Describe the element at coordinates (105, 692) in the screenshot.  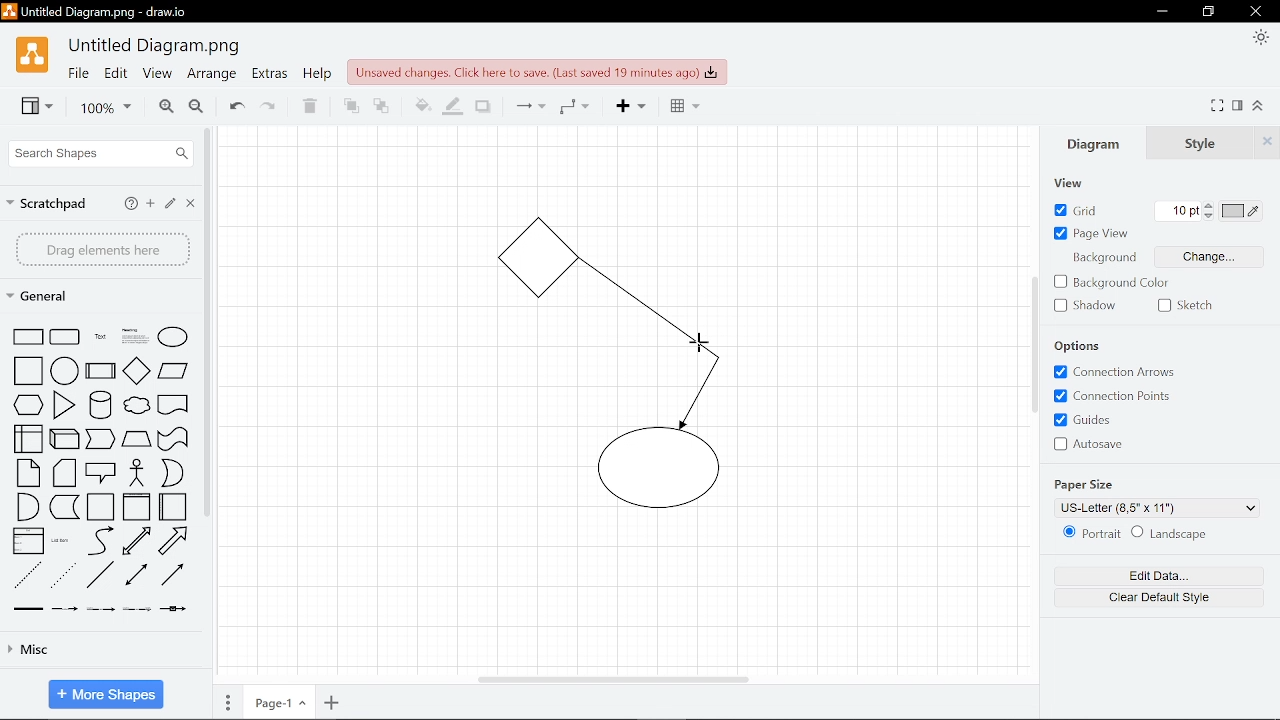
I see `More shapes` at that location.